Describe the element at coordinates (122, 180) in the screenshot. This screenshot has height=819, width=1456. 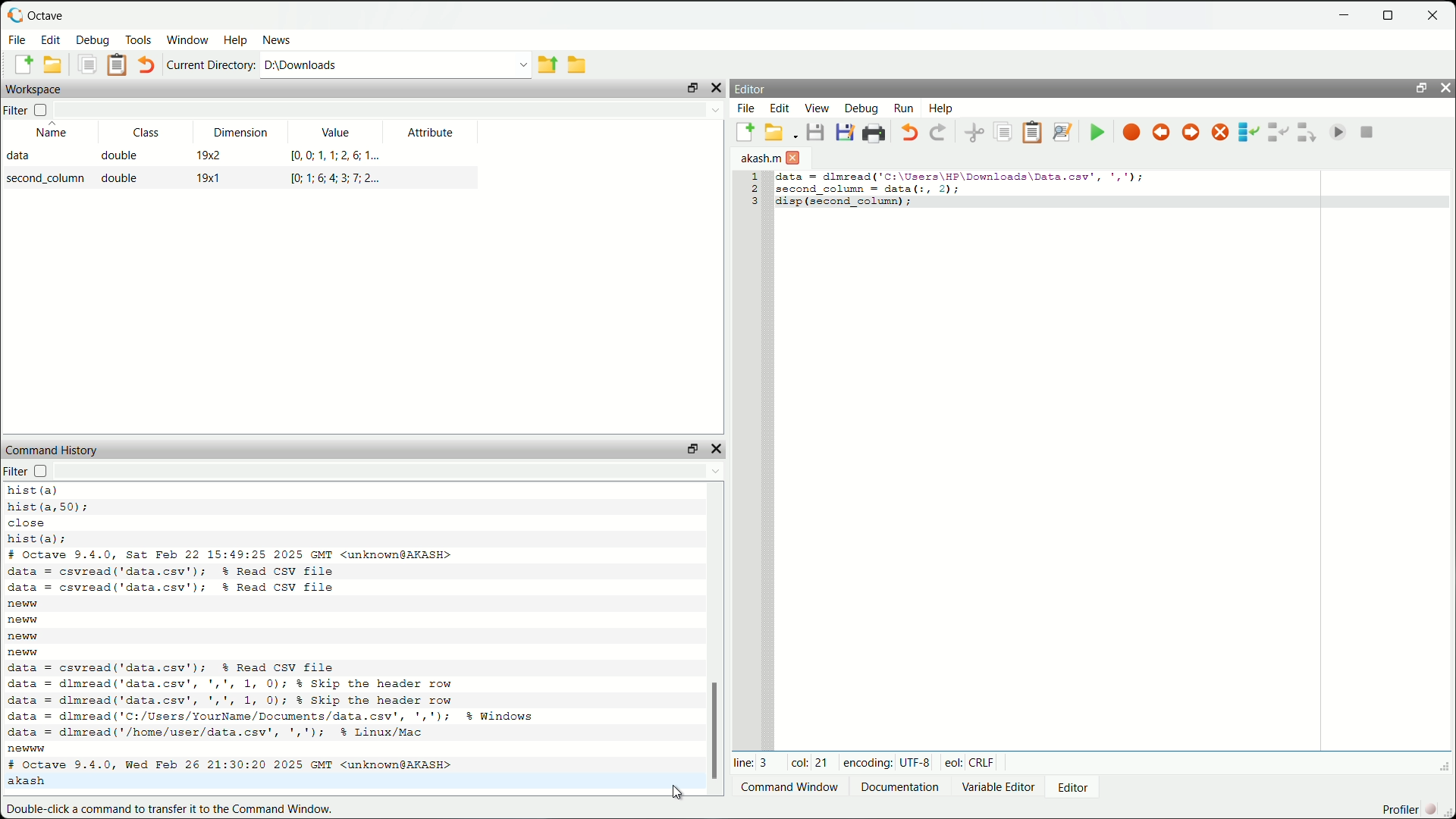
I see `double` at that location.